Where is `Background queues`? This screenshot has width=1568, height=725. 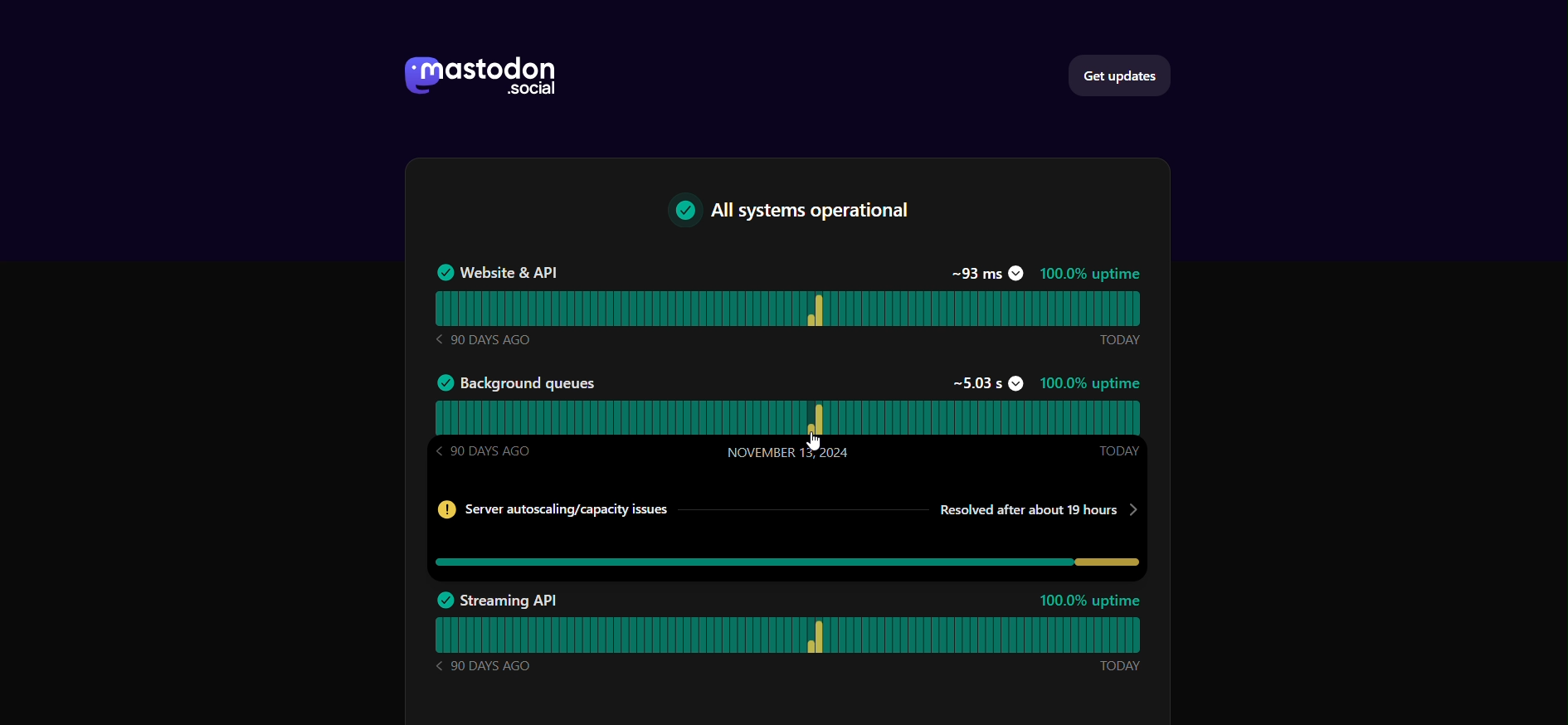
Background queues is located at coordinates (519, 382).